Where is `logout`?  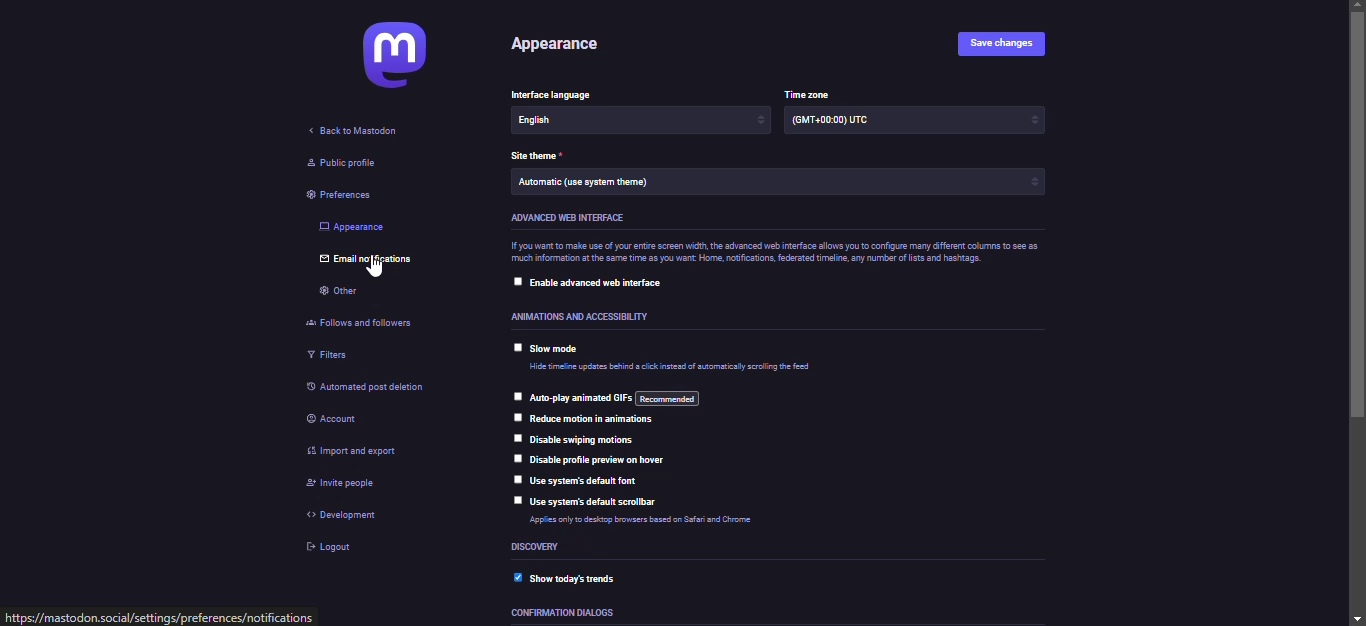 logout is located at coordinates (327, 548).